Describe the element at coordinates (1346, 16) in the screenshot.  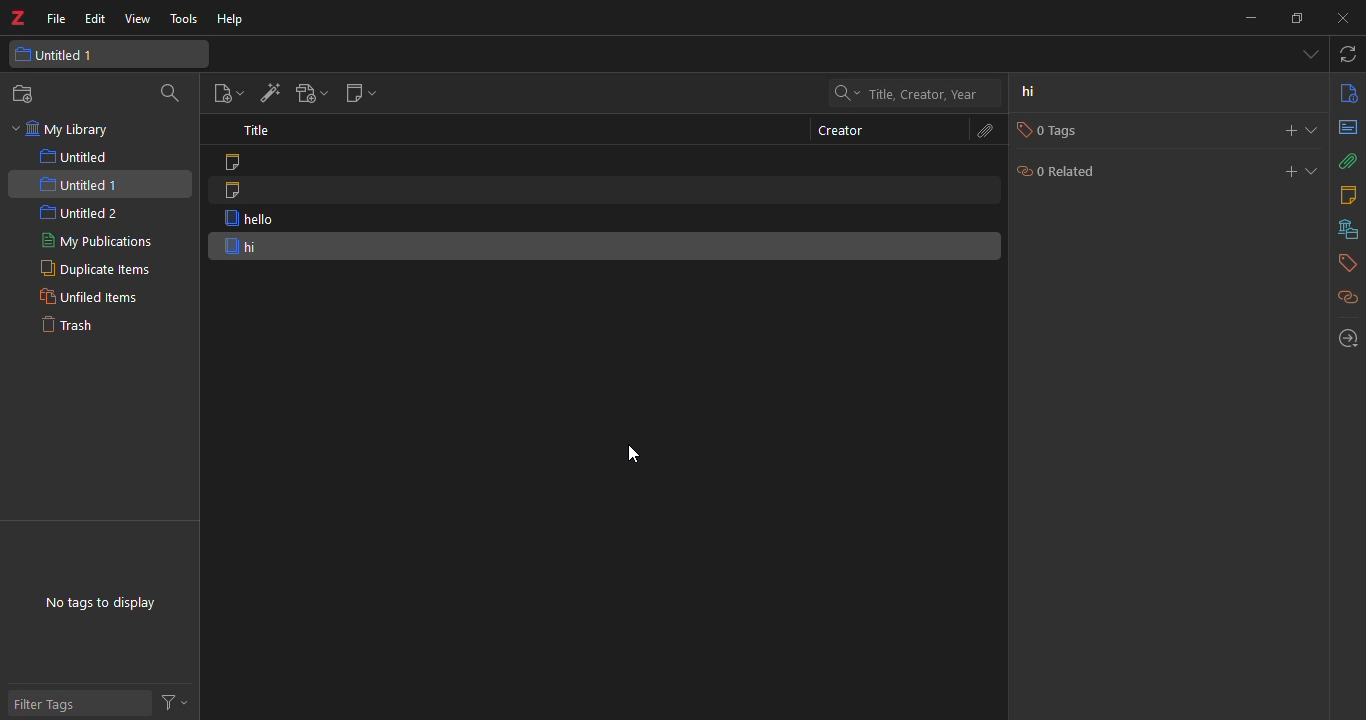
I see `close` at that location.